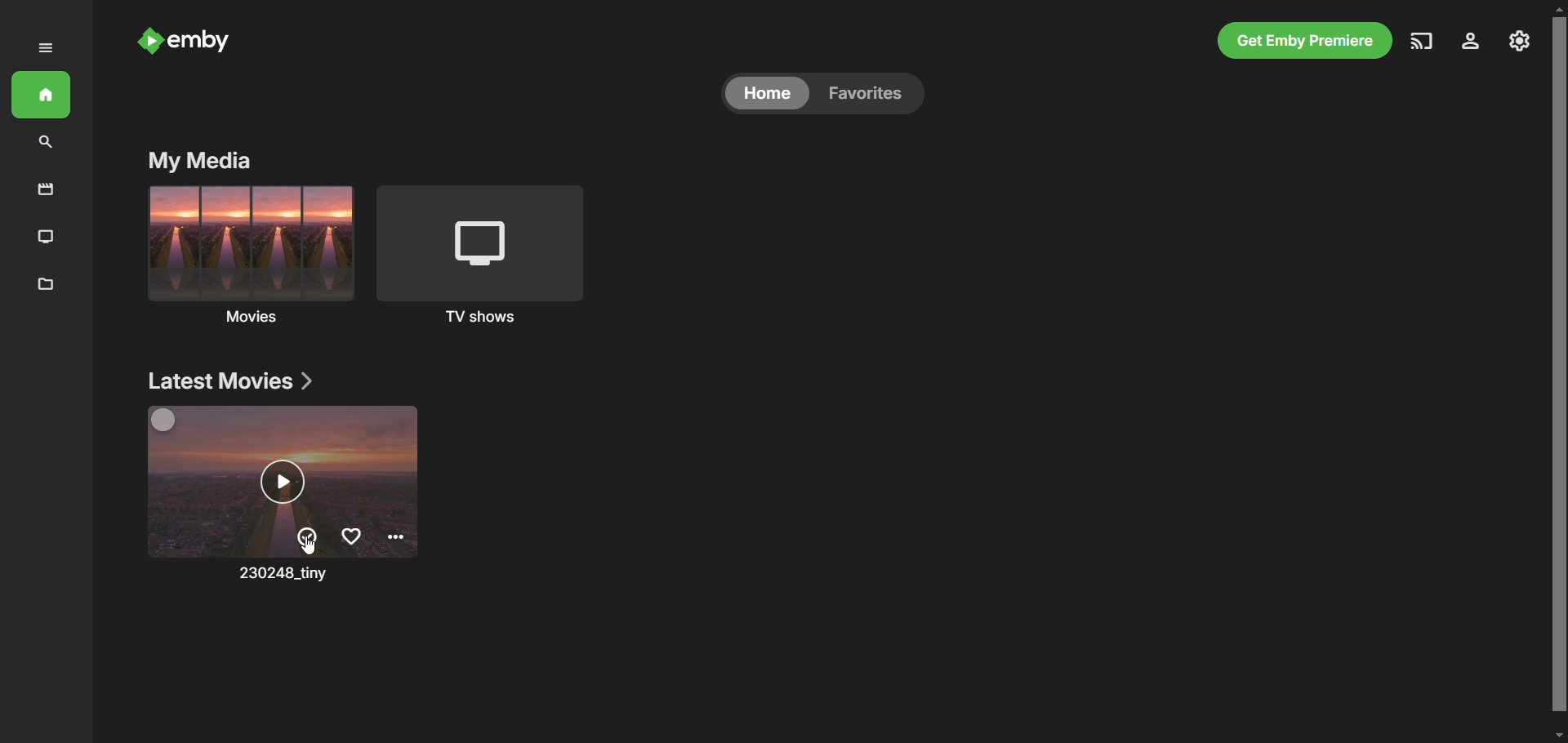 The height and width of the screenshot is (743, 1568). I want to click on play on another device, so click(1424, 41).